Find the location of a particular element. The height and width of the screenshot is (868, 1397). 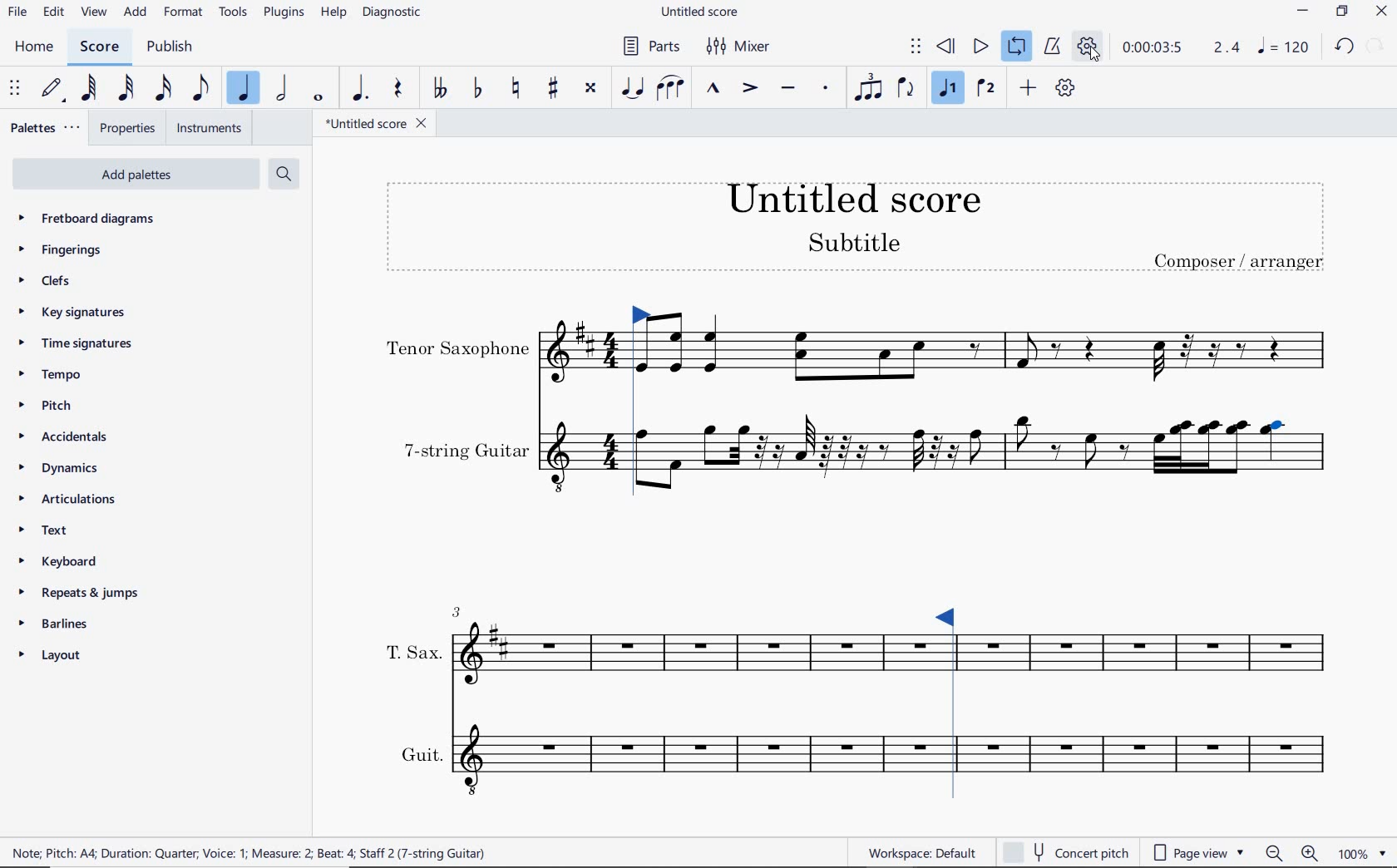

TIME SIGNATURES is located at coordinates (74, 343).